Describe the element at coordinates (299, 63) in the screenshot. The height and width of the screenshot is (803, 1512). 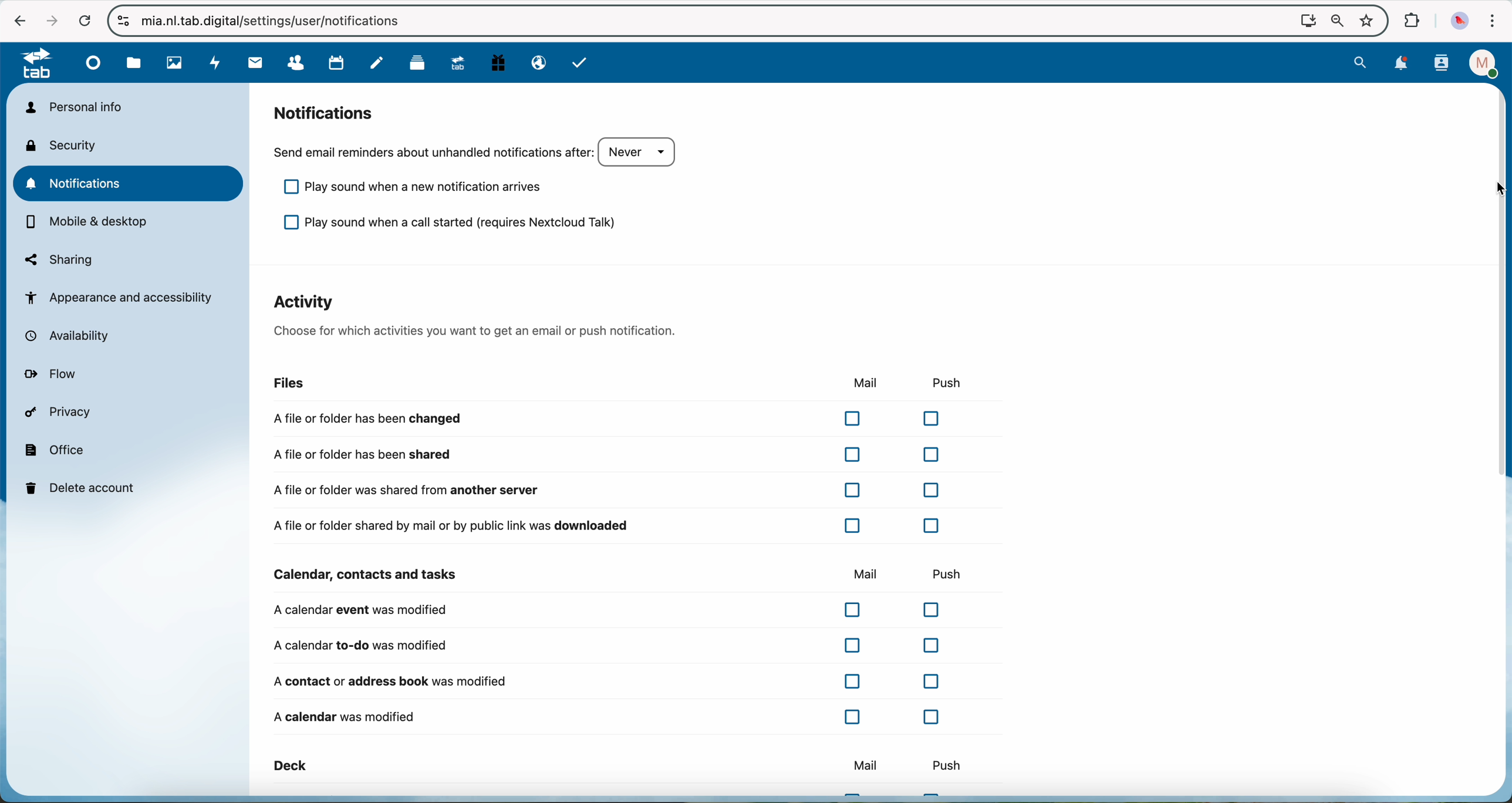
I see `contacts` at that location.